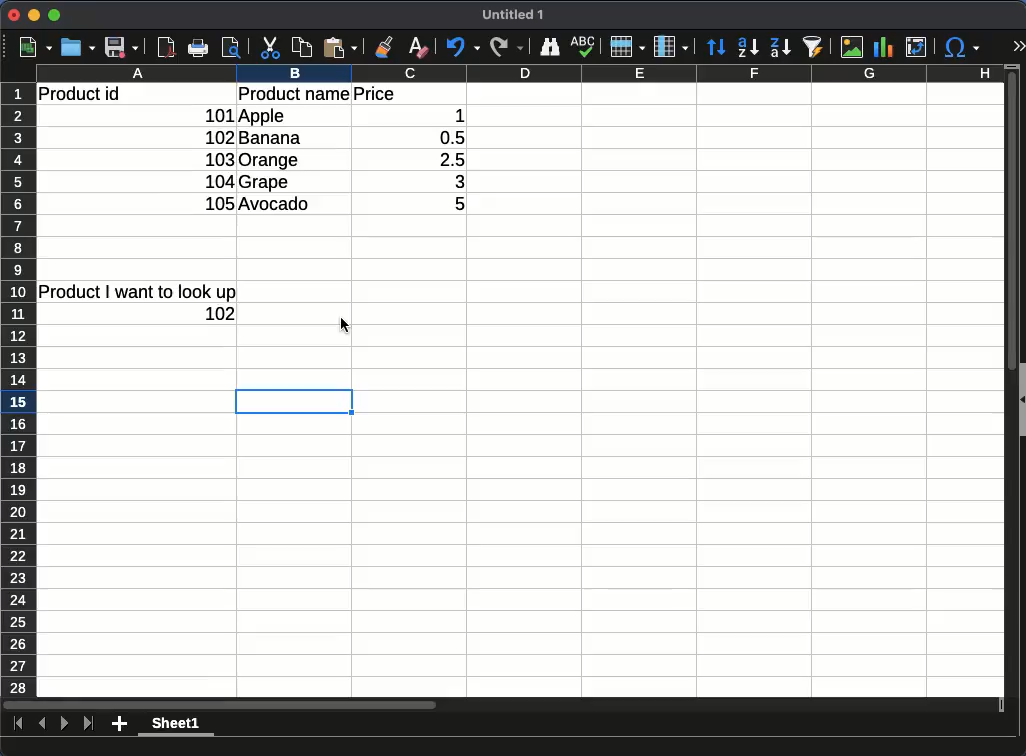  What do you see at coordinates (813, 47) in the screenshot?
I see `sort` at bounding box center [813, 47].